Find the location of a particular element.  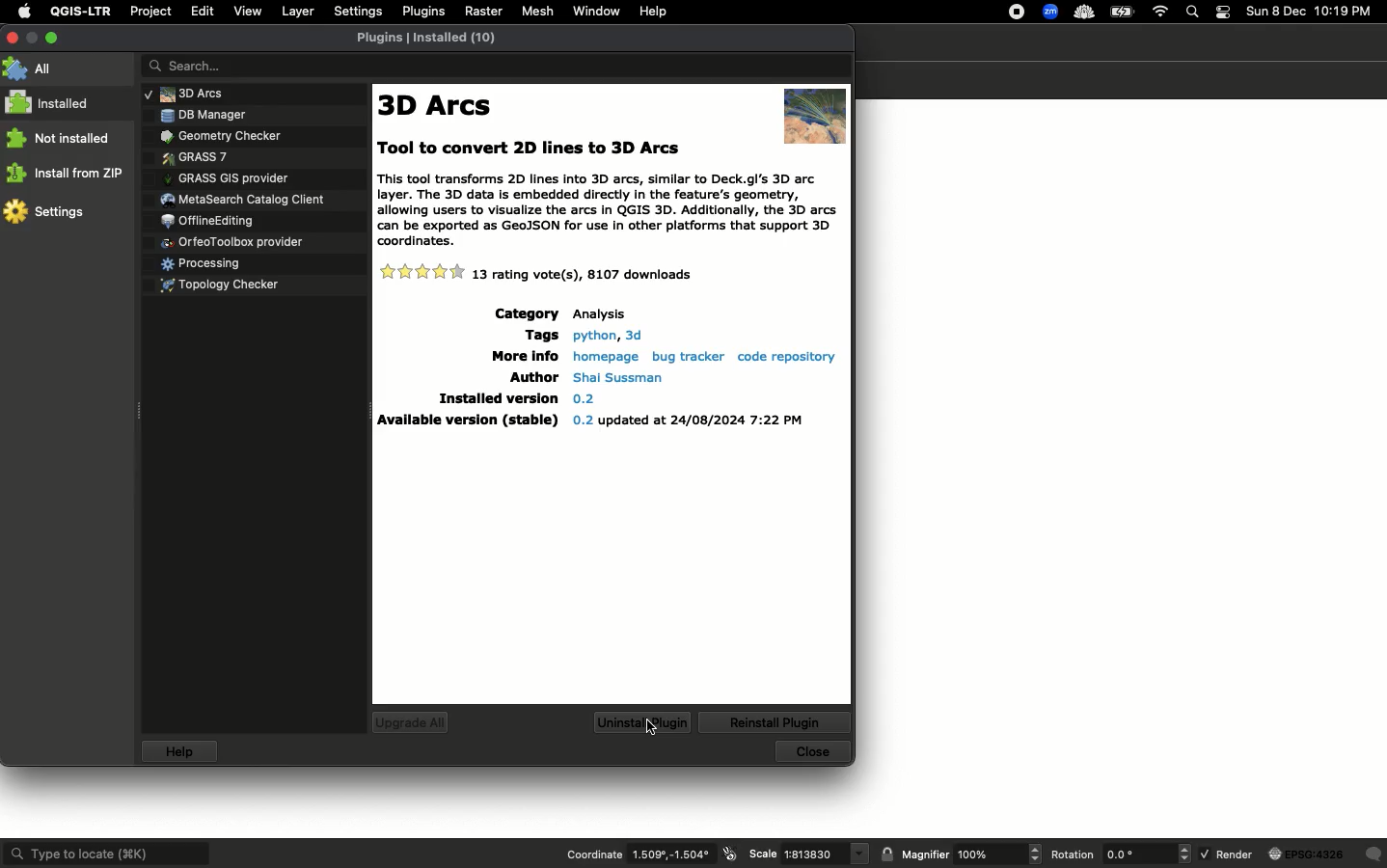

Edit is located at coordinates (202, 11).